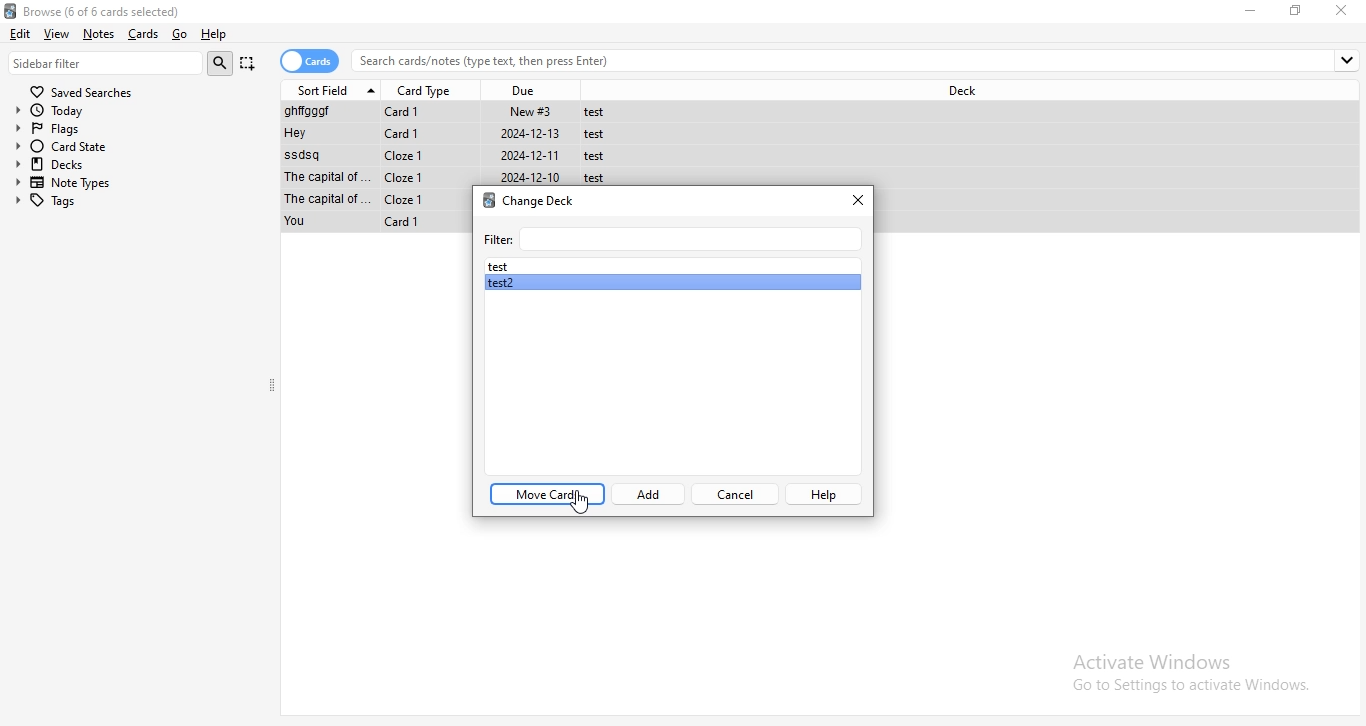  What do you see at coordinates (1299, 11) in the screenshot?
I see `Maximize` at bounding box center [1299, 11].